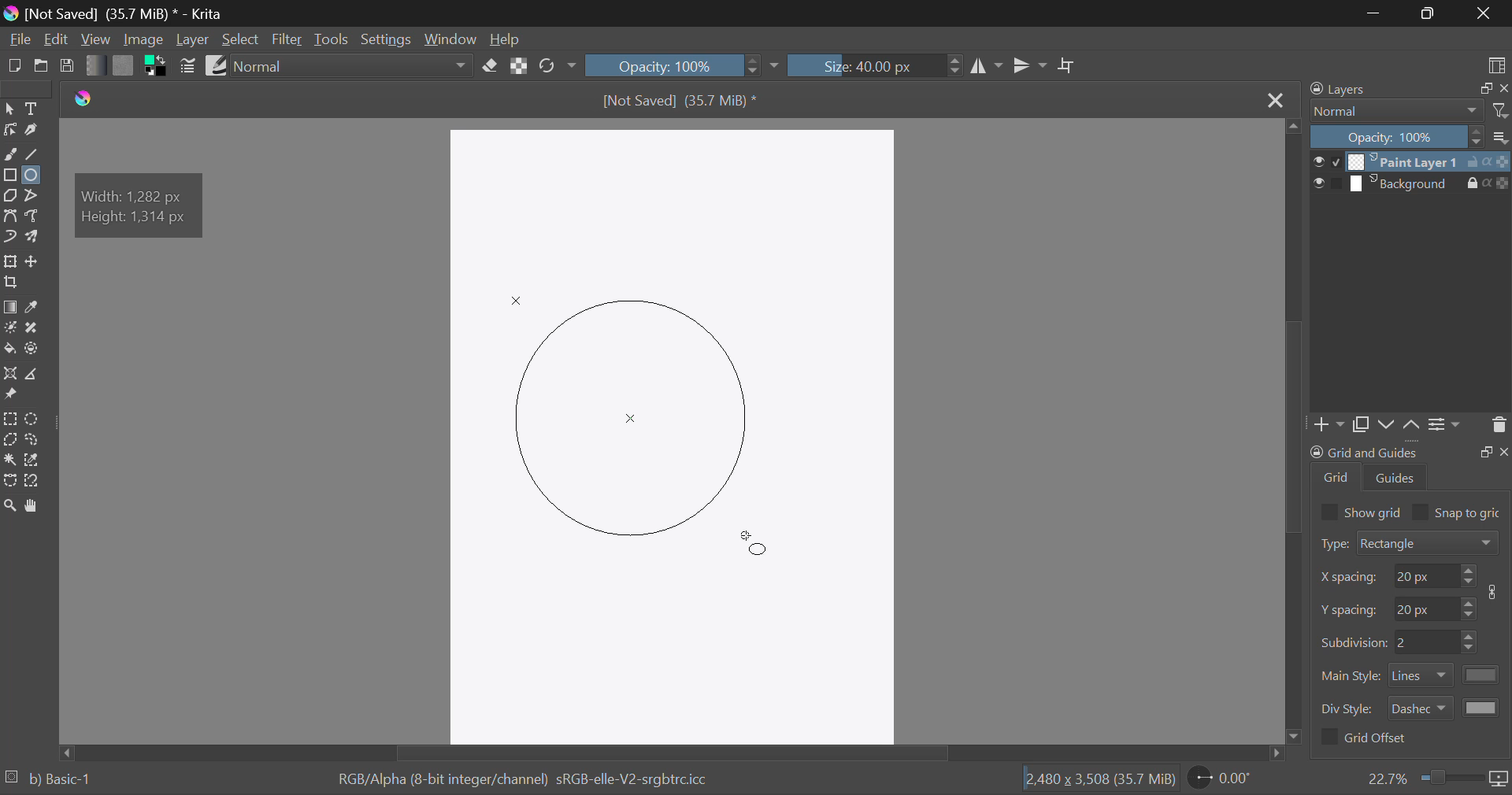  What do you see at coordinates (1031, 65) in the screenshot?
I see `Horizontal Mirror Flip` at bounding box center [1031, 65].